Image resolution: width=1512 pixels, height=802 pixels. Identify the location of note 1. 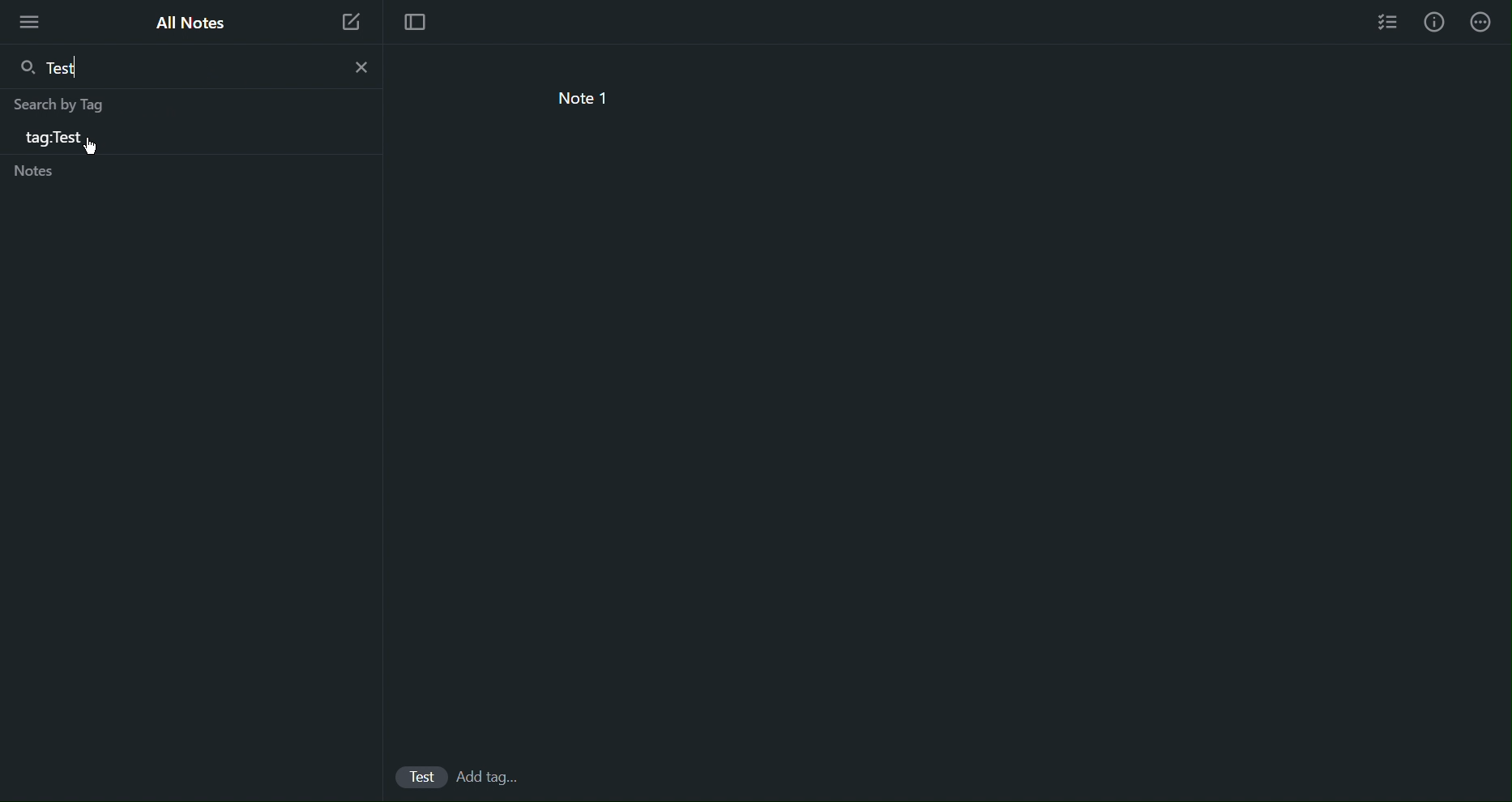
(579, 99).